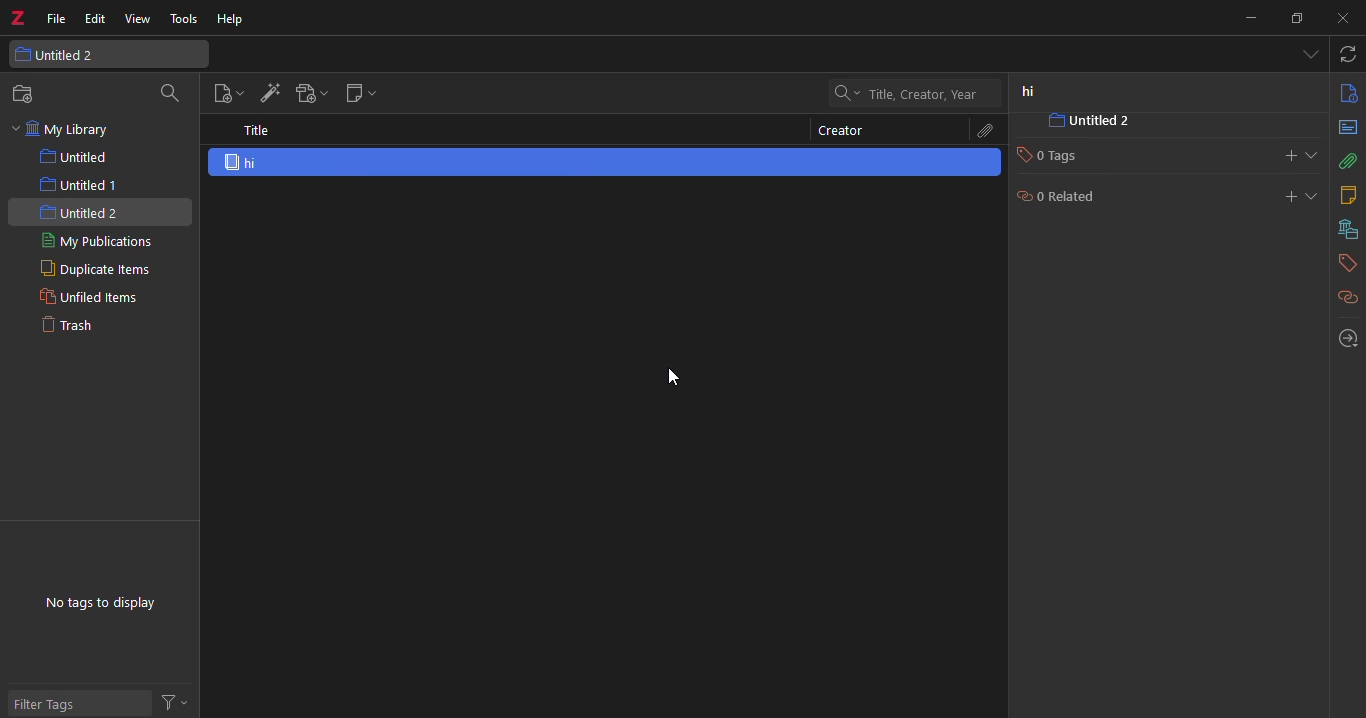  What do you see at coordinates (358, 93) in the screenshot?
I see `new note` at bounding box center [358, 93].